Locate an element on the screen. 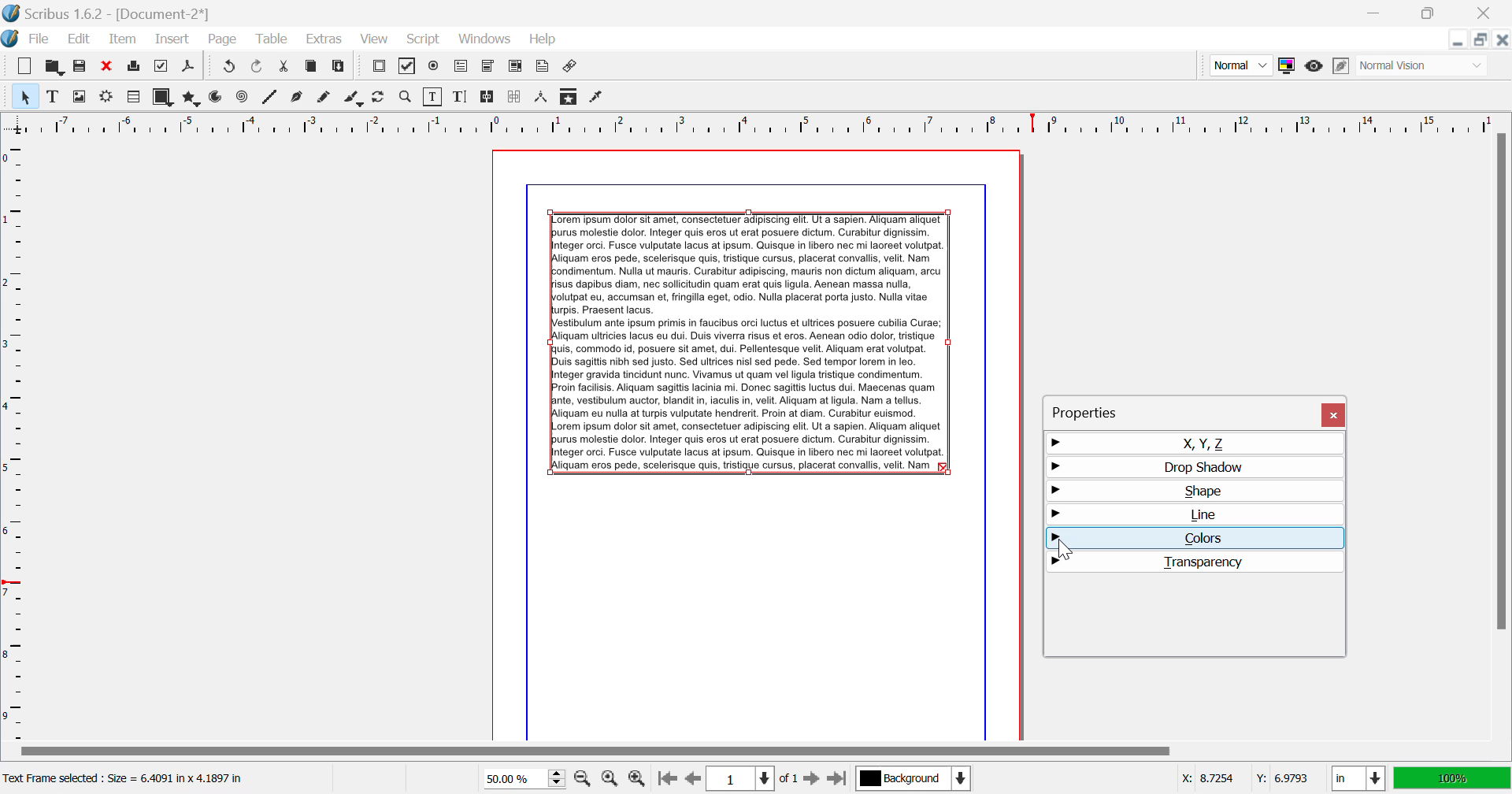  Windows is located at coordinates (485, 39).